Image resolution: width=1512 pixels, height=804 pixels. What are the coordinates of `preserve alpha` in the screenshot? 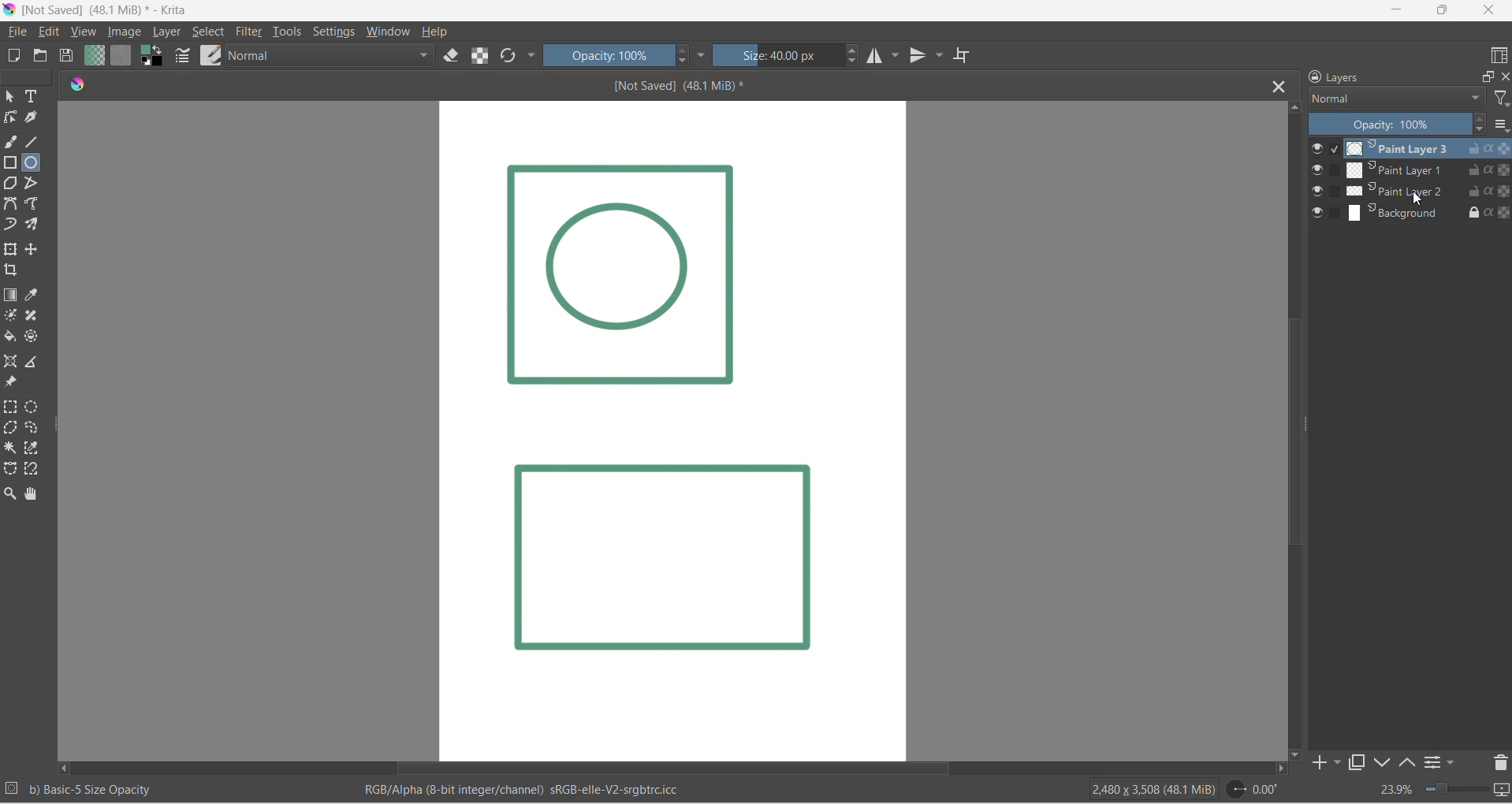 It's located at (482, 56).